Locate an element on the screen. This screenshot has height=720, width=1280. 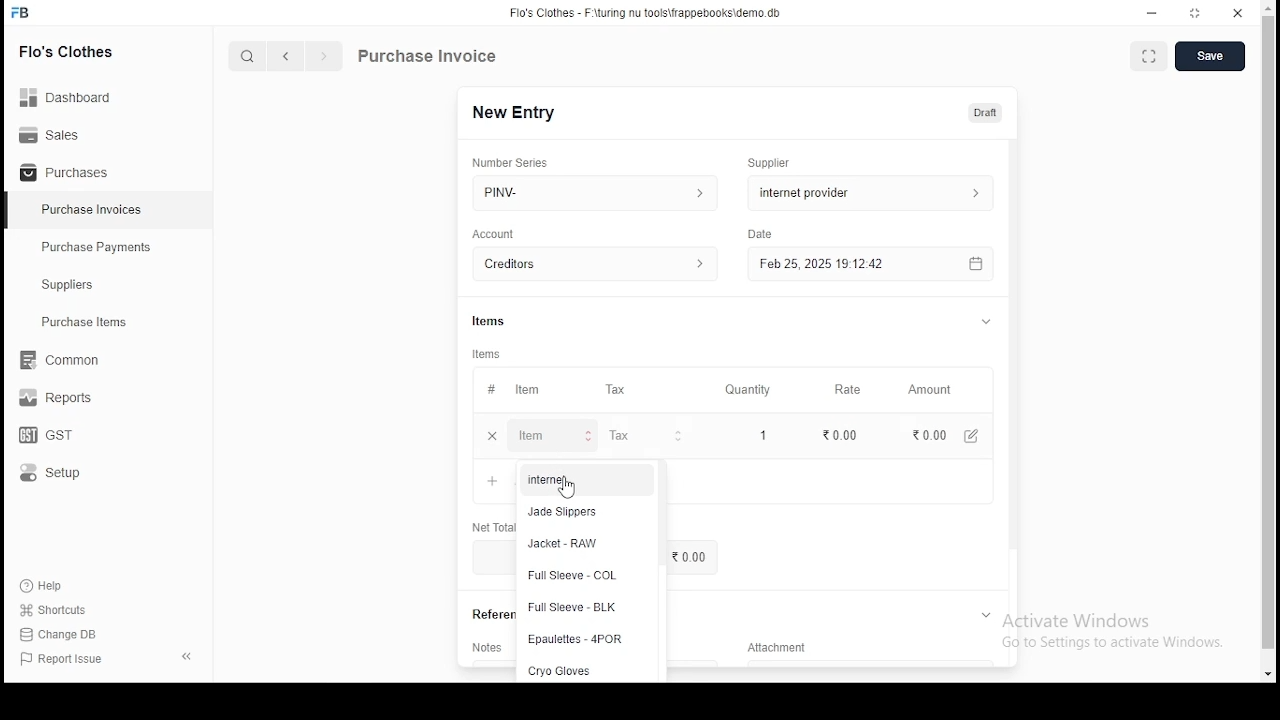
help is located at coordinates (46, 583).